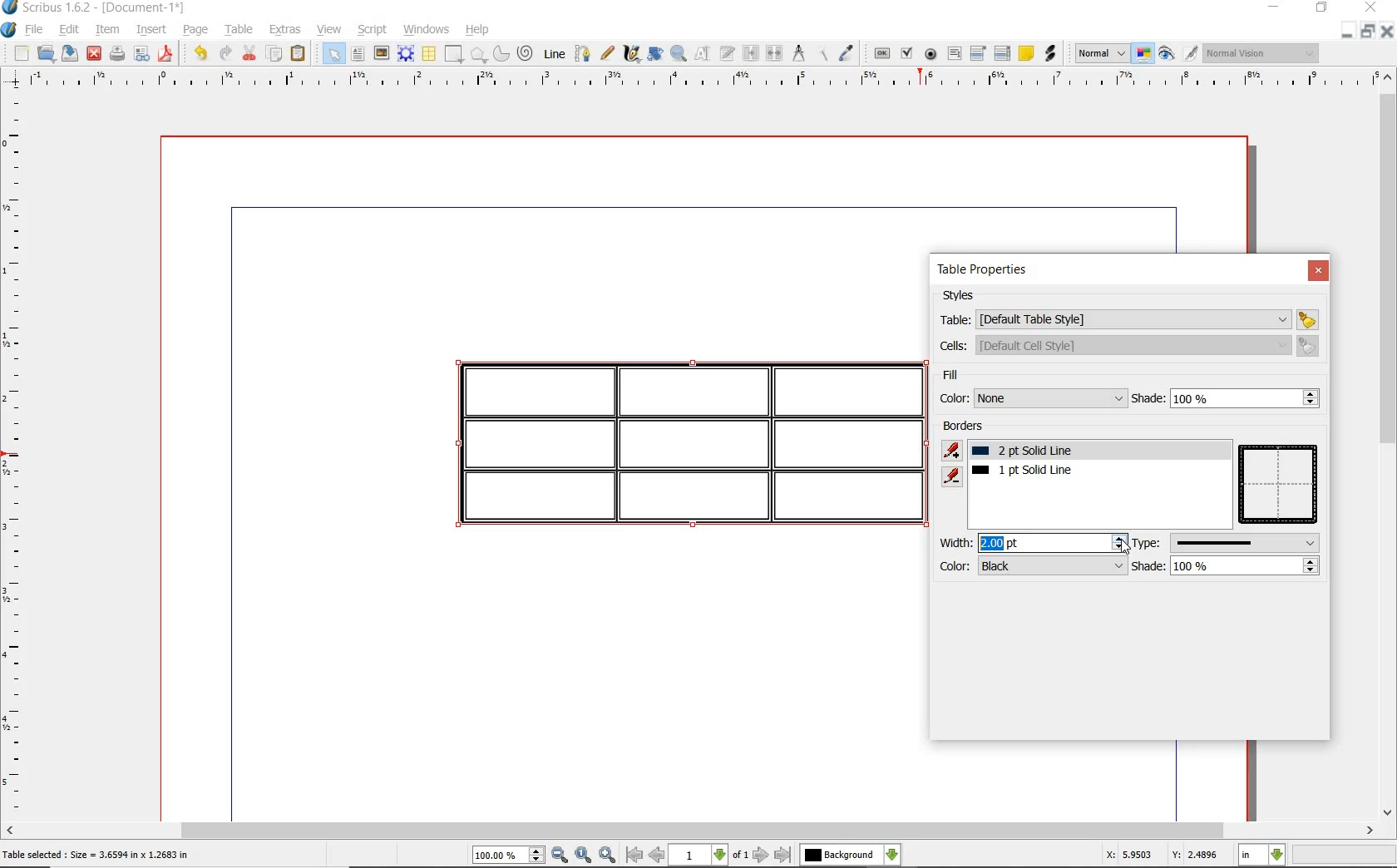 Image resolution: width=1397 pixels, height=868 pixels. I want to click on 1pt solid line, so click(1031, 451).